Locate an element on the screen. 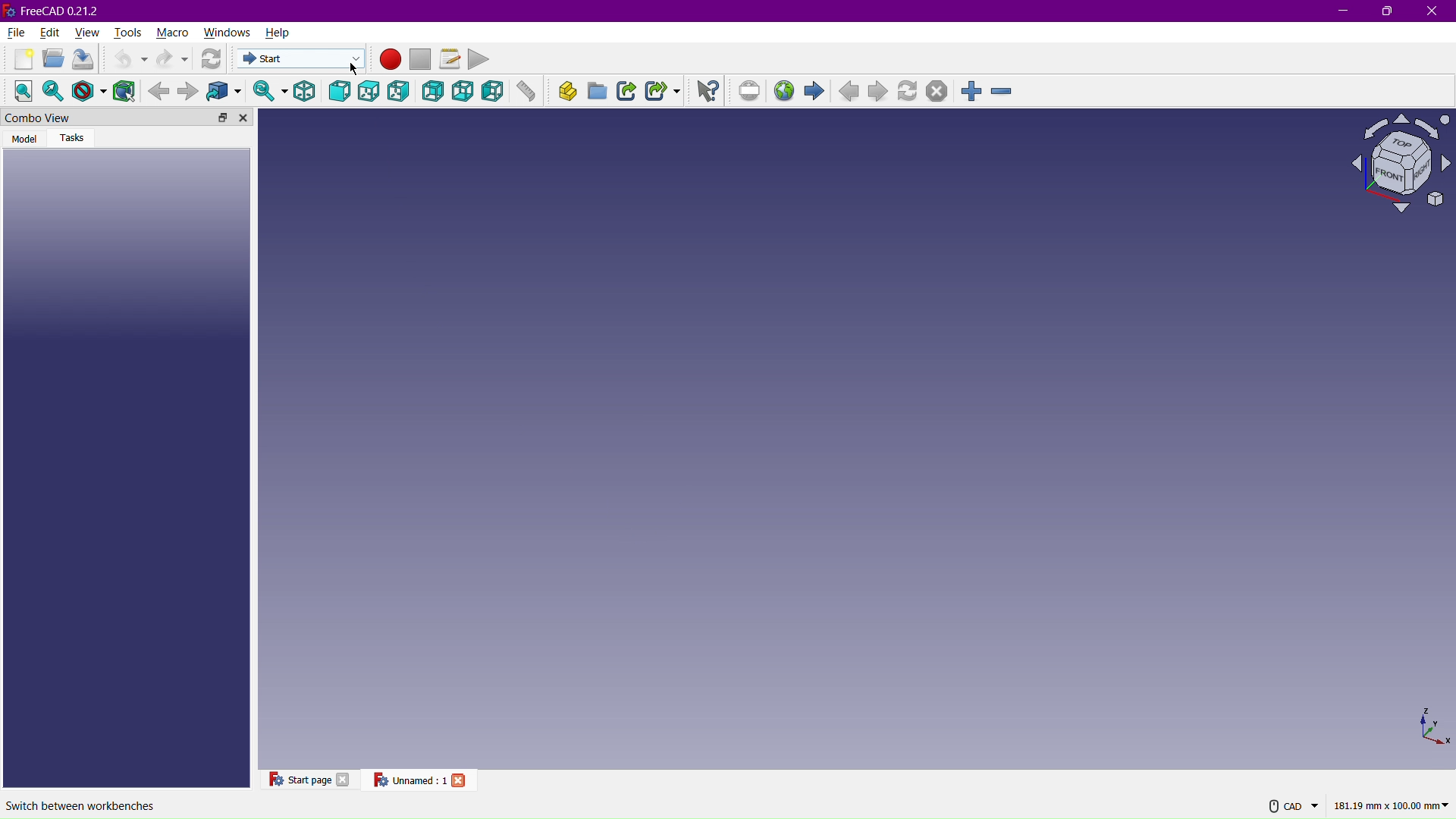 This screenshot has width=1456, height=819. Zoom Out is located at coordinates (1005, 91).